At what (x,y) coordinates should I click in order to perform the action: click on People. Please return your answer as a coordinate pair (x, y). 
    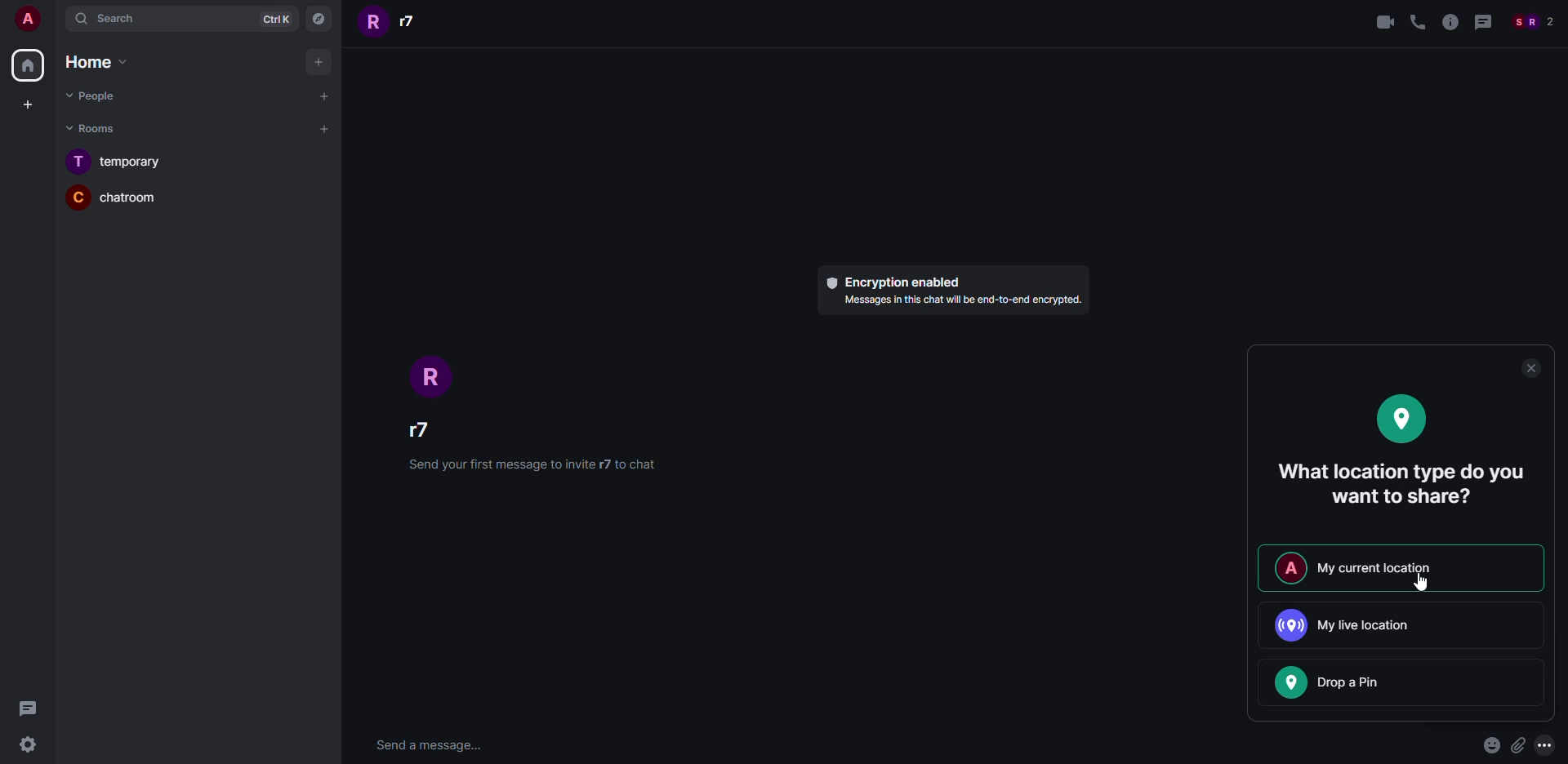
    Looking at the image, I should click on (1532, 23).